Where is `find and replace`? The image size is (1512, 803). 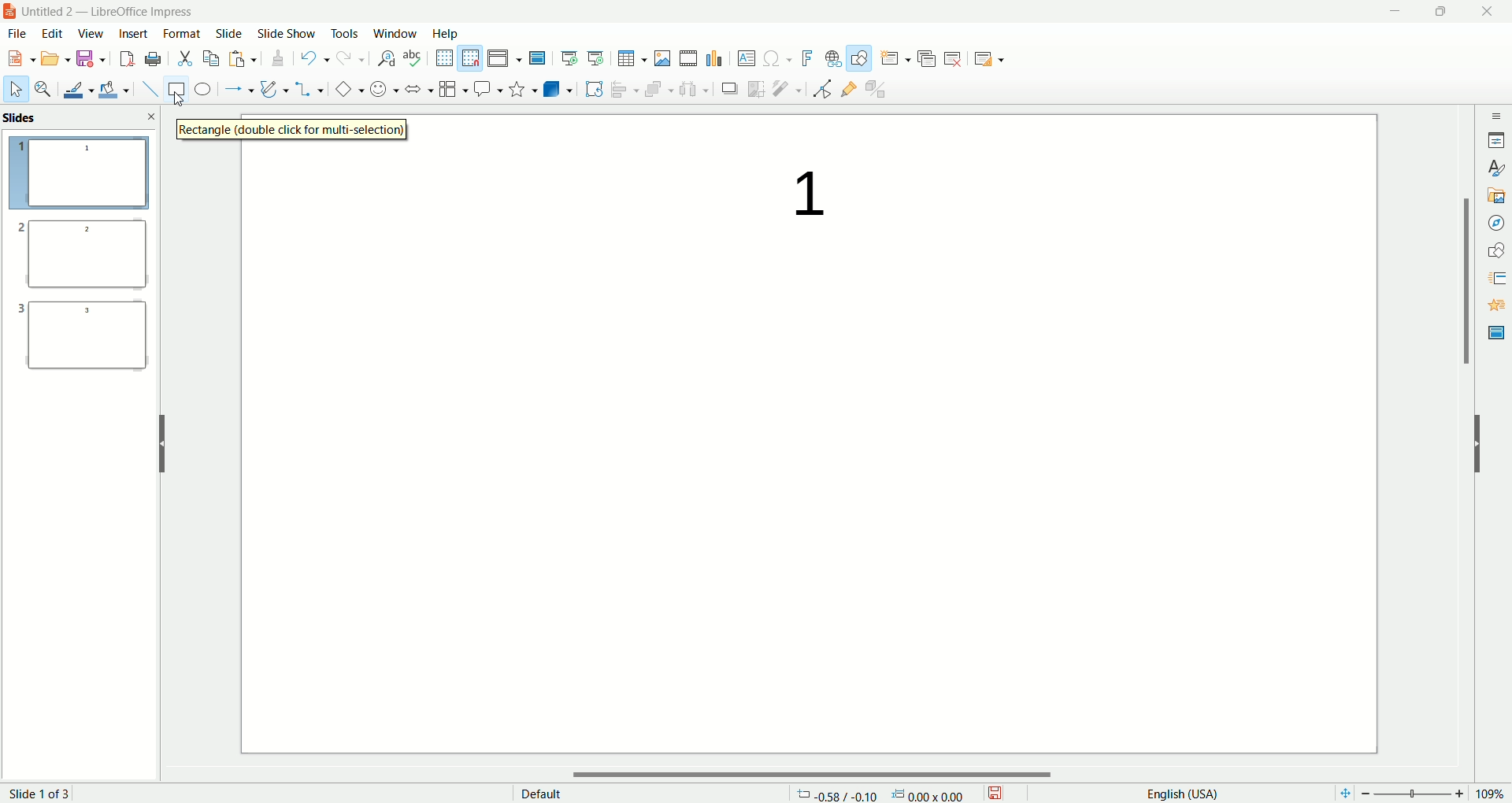
find and replace is located at coordinates (384, 60).